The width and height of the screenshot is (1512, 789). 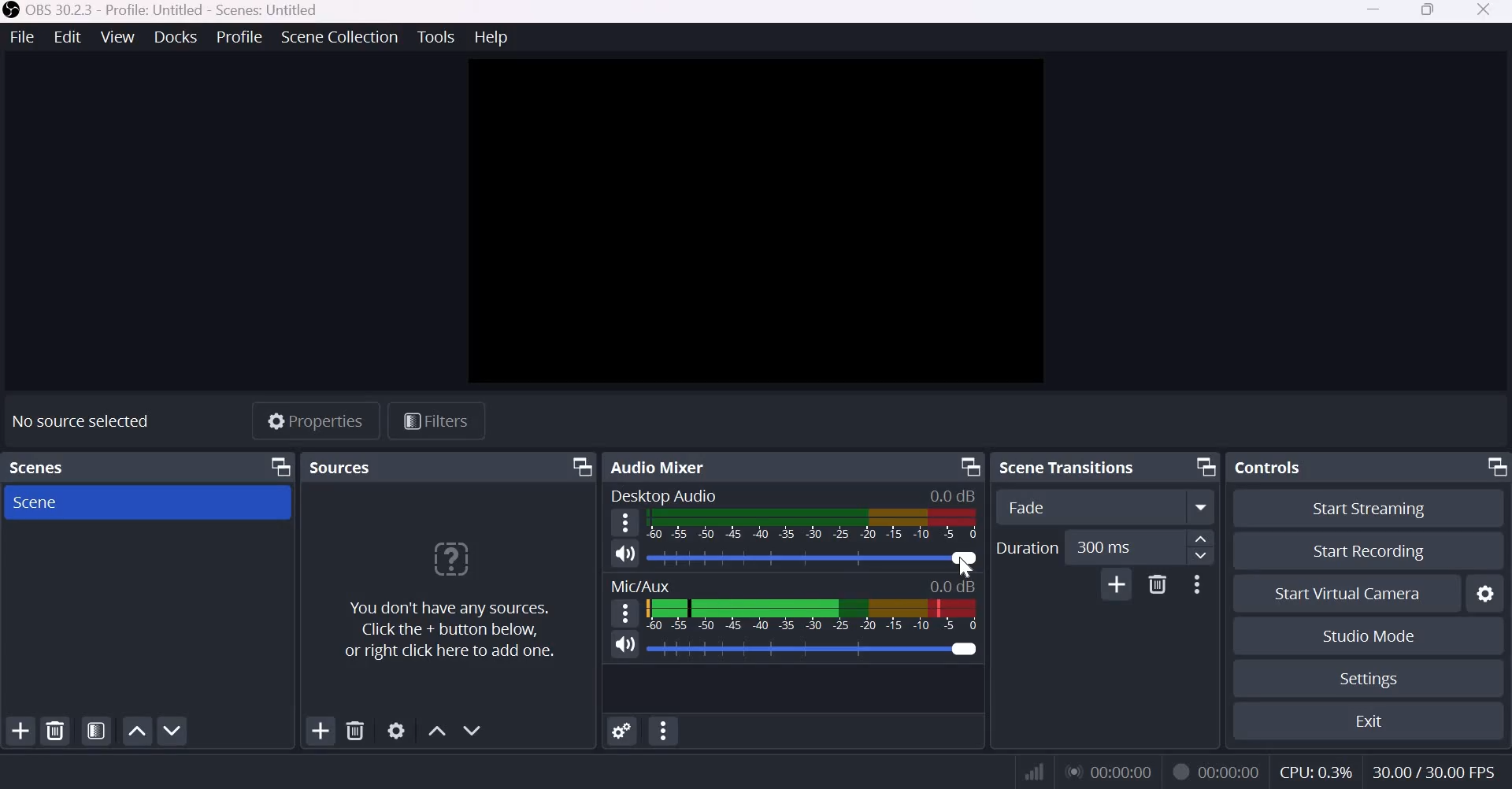 I want to click on You don't have any sources. Click the + button below, or right click here to add one, so click(x=448, y=602).